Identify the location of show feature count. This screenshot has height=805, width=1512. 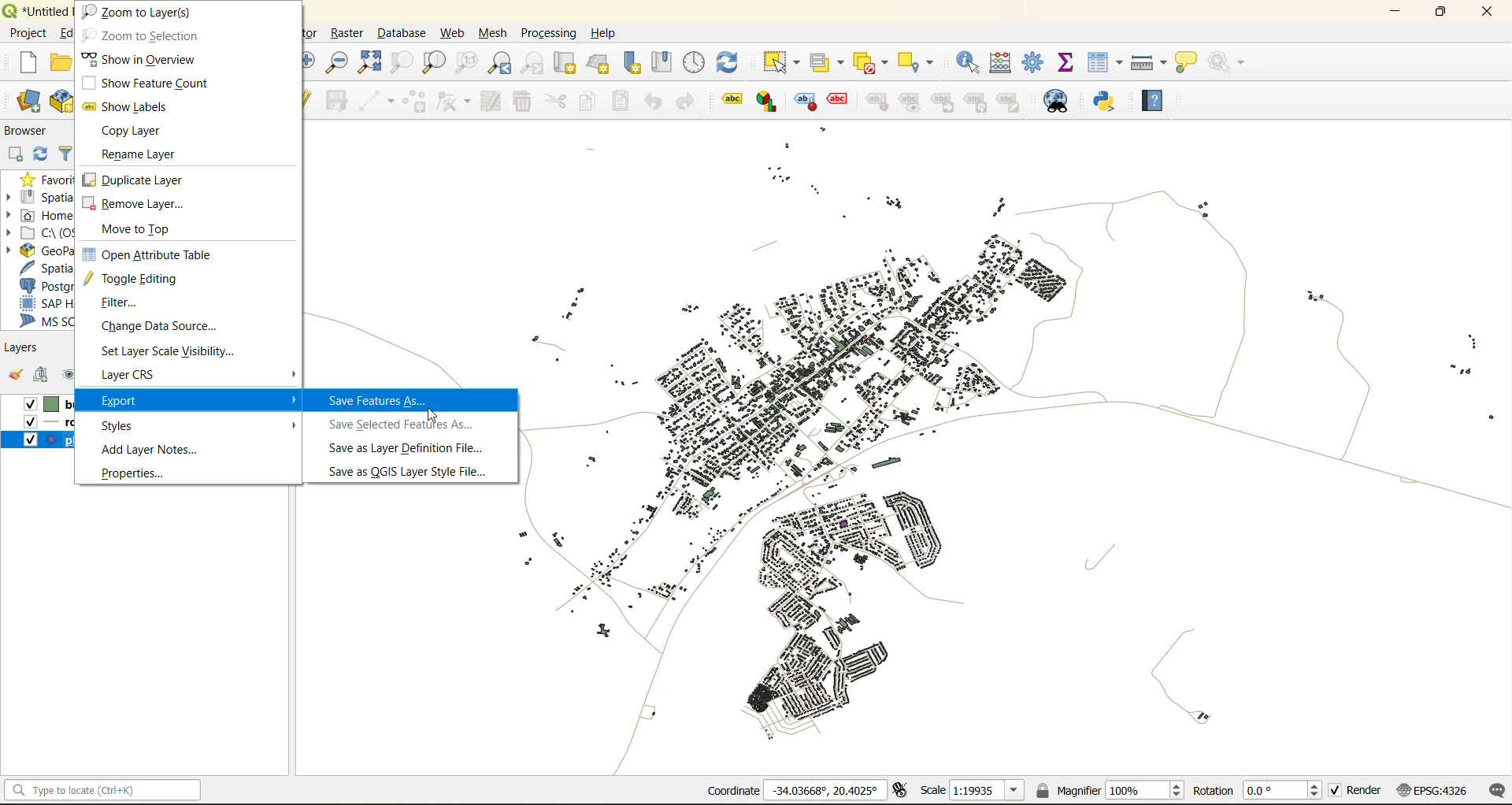
(143, 82).